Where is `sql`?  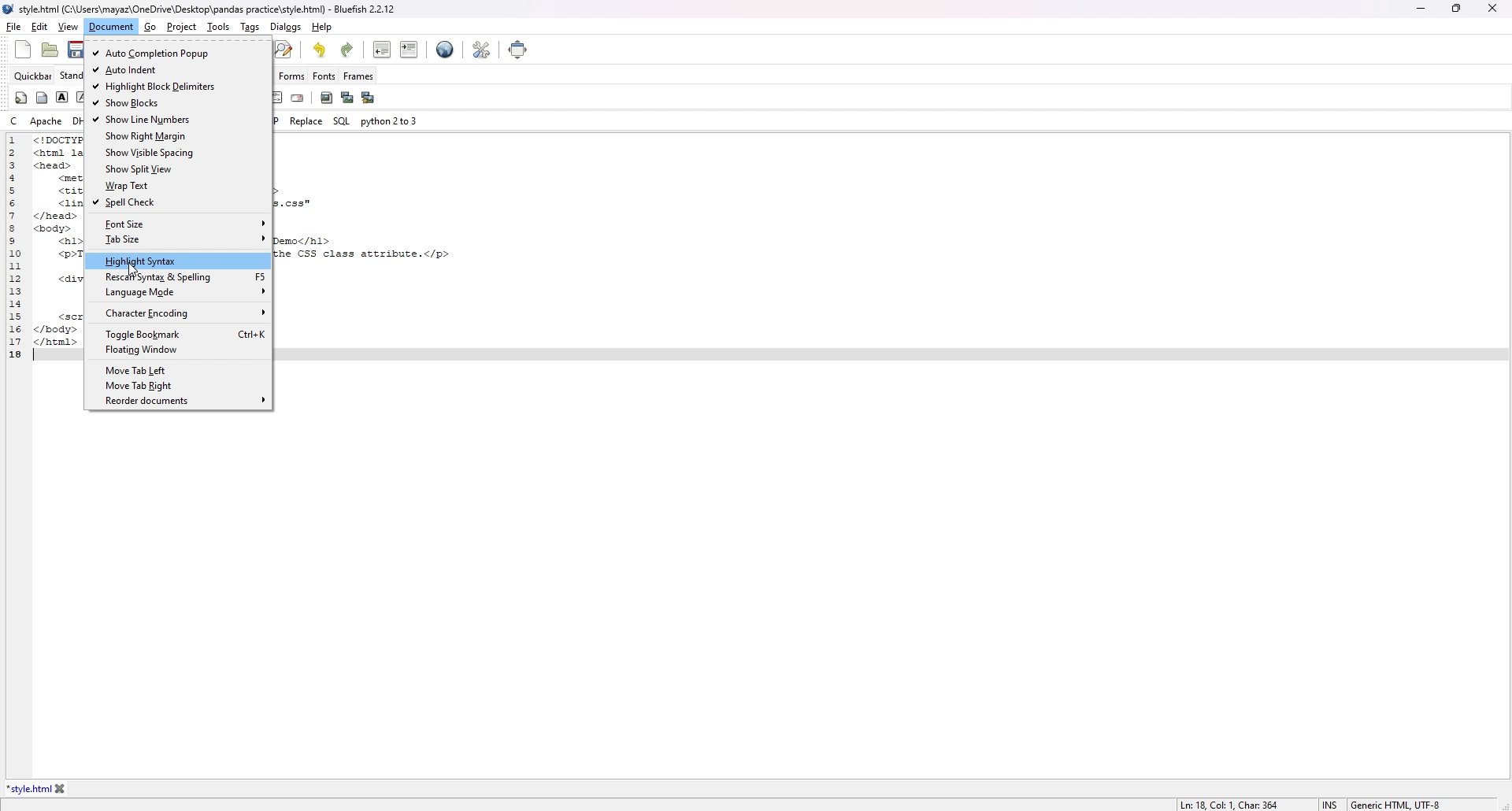 sql is located at coordinates (342, 120).